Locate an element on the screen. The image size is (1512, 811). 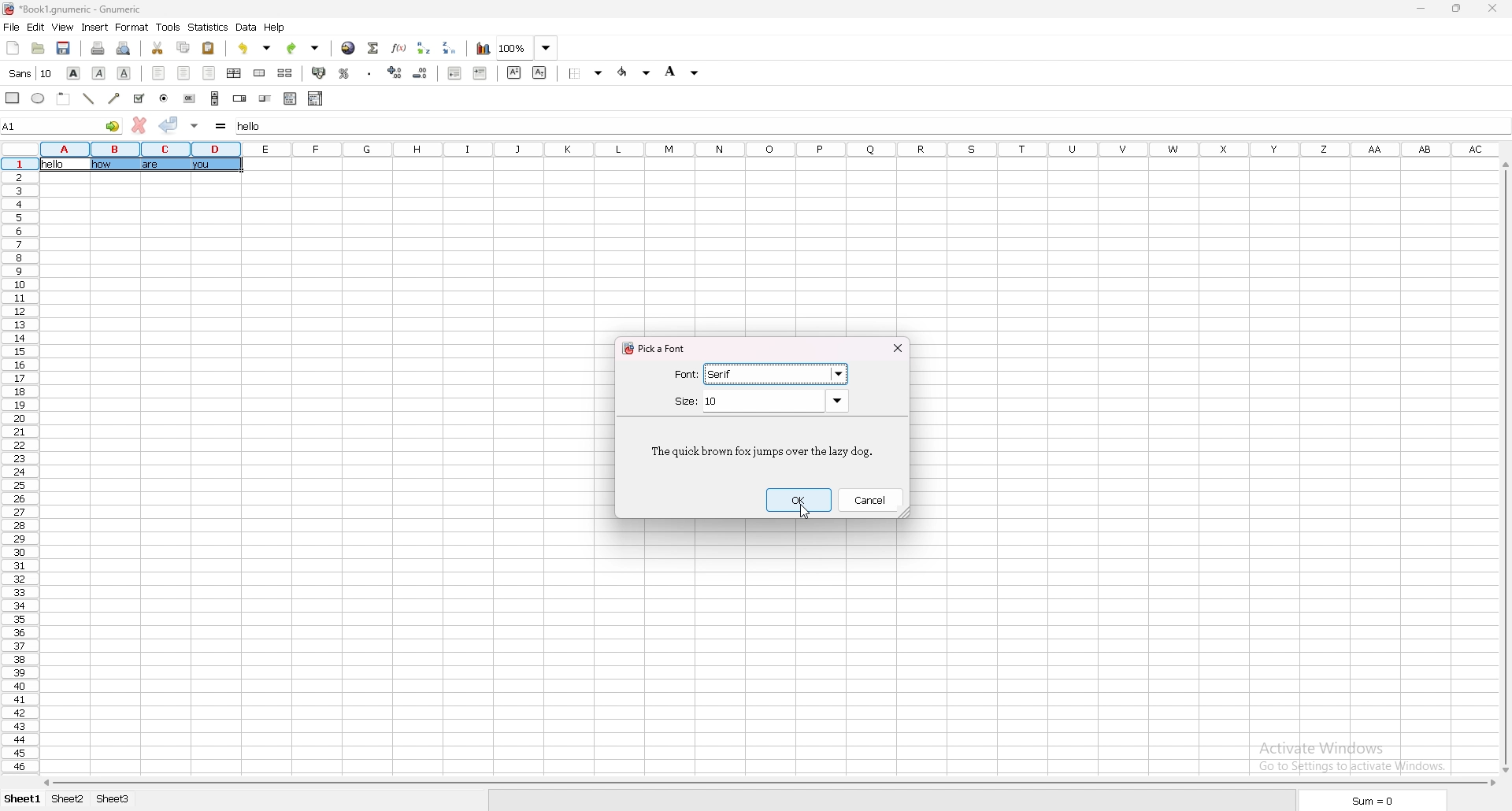
scroll bar is located at coordinates (1504, 466).